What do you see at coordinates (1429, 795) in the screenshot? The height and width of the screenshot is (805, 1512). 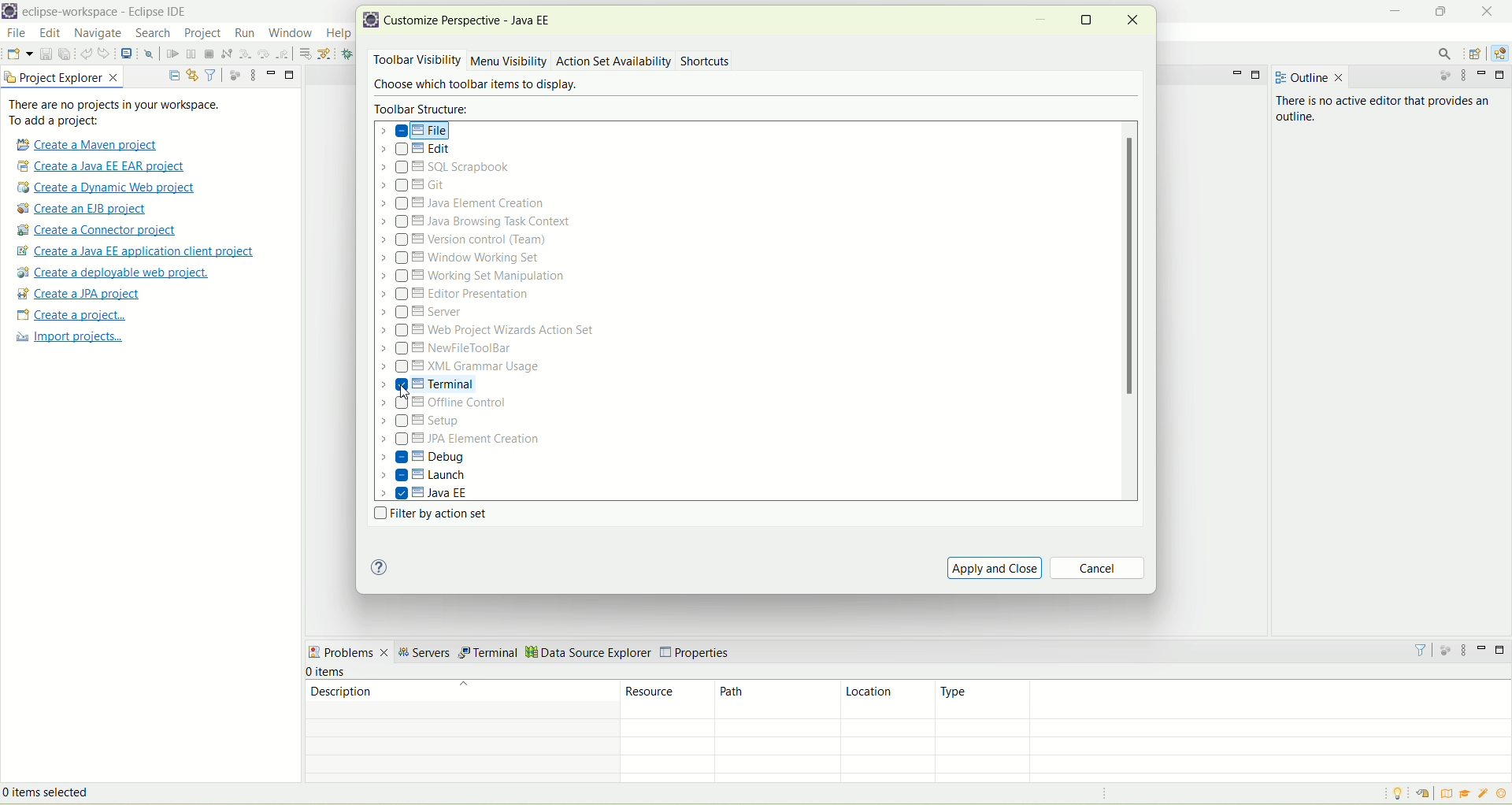 I see `restore welcome` at bounding box center [1429, 795].